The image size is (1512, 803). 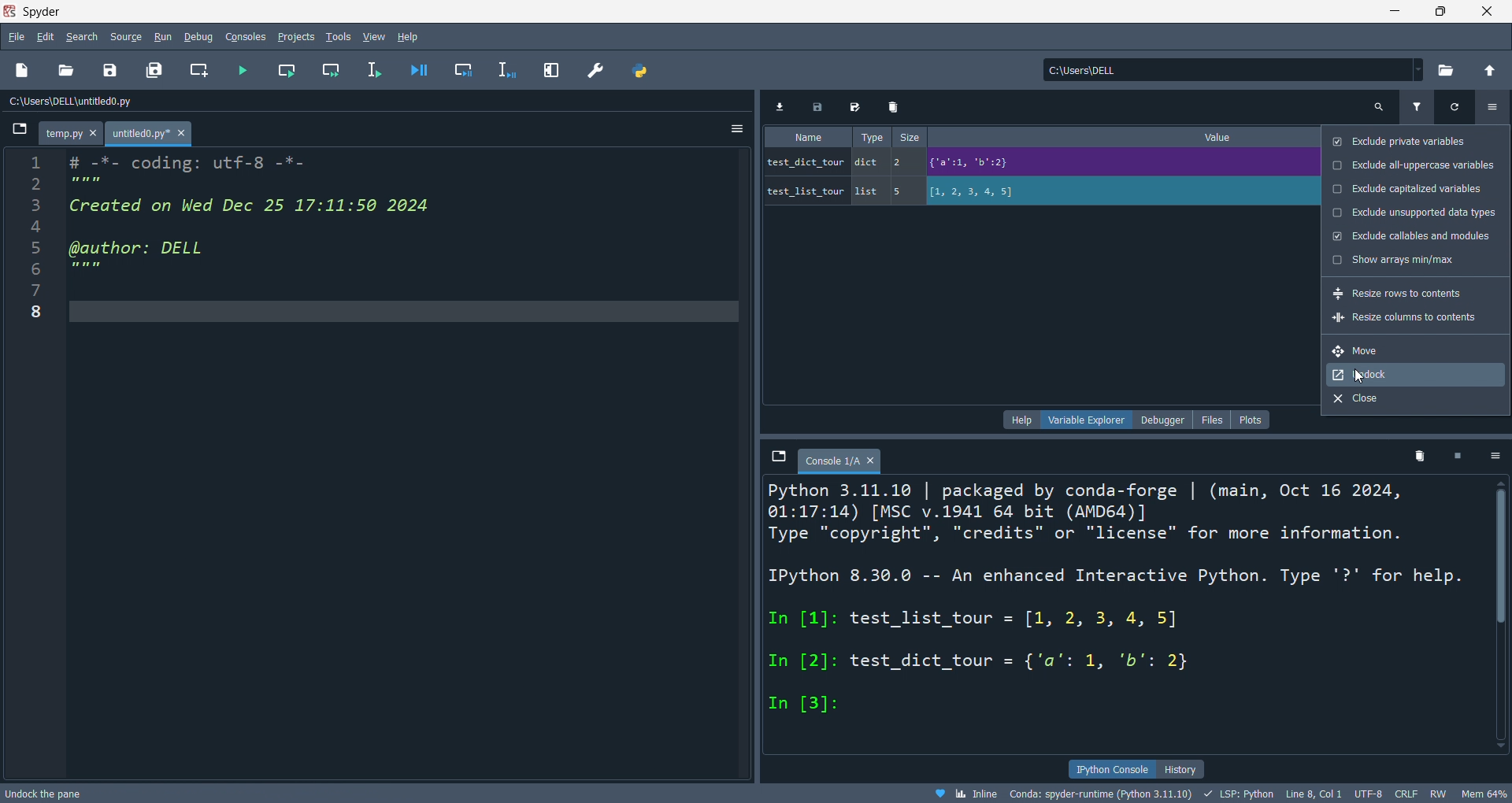 What do you see at coordinates (774, 457) in the screenshot?
I see `browse tabs` at bounding box center [774, 457].